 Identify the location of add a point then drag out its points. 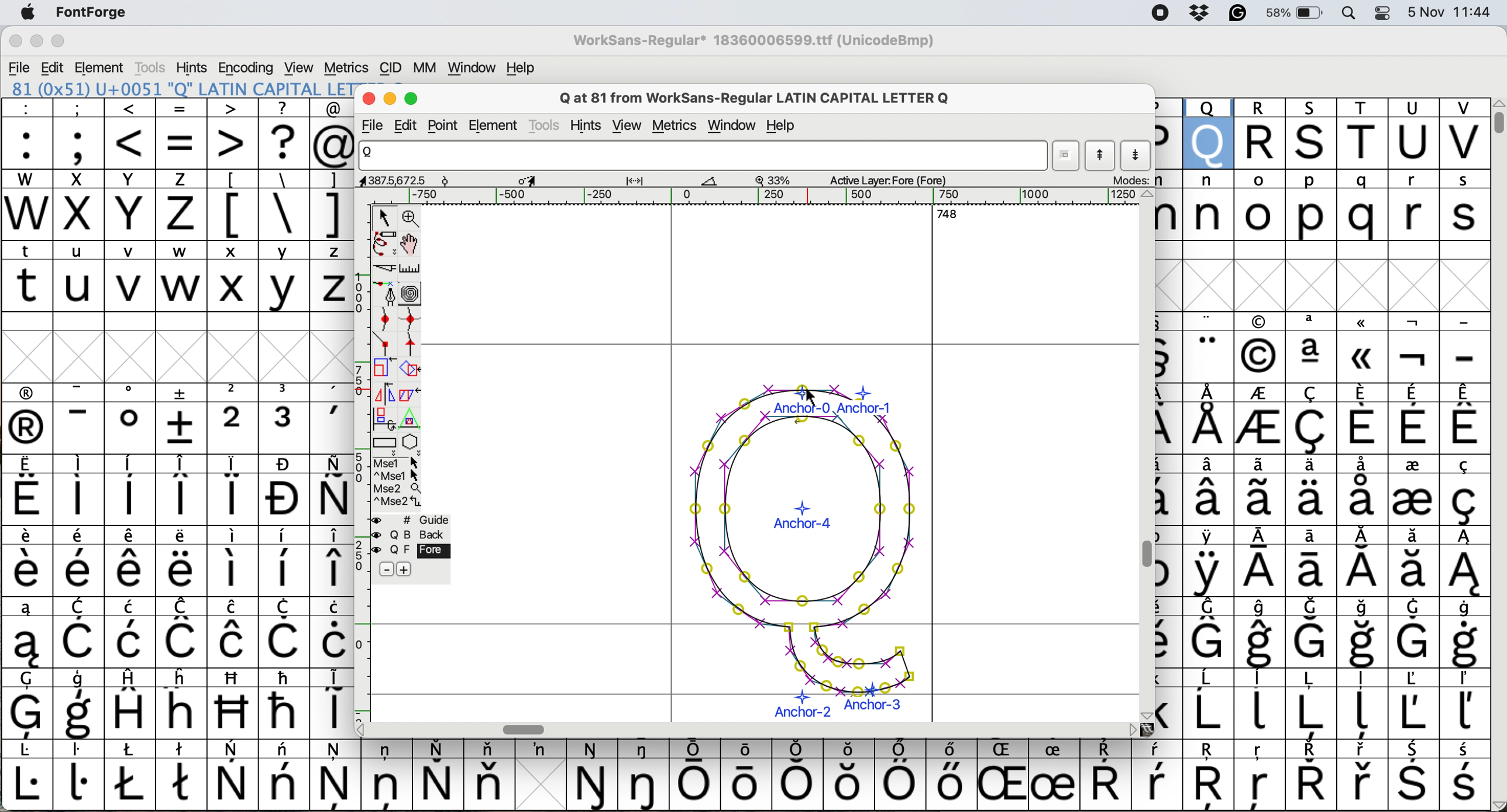
(384, 295).